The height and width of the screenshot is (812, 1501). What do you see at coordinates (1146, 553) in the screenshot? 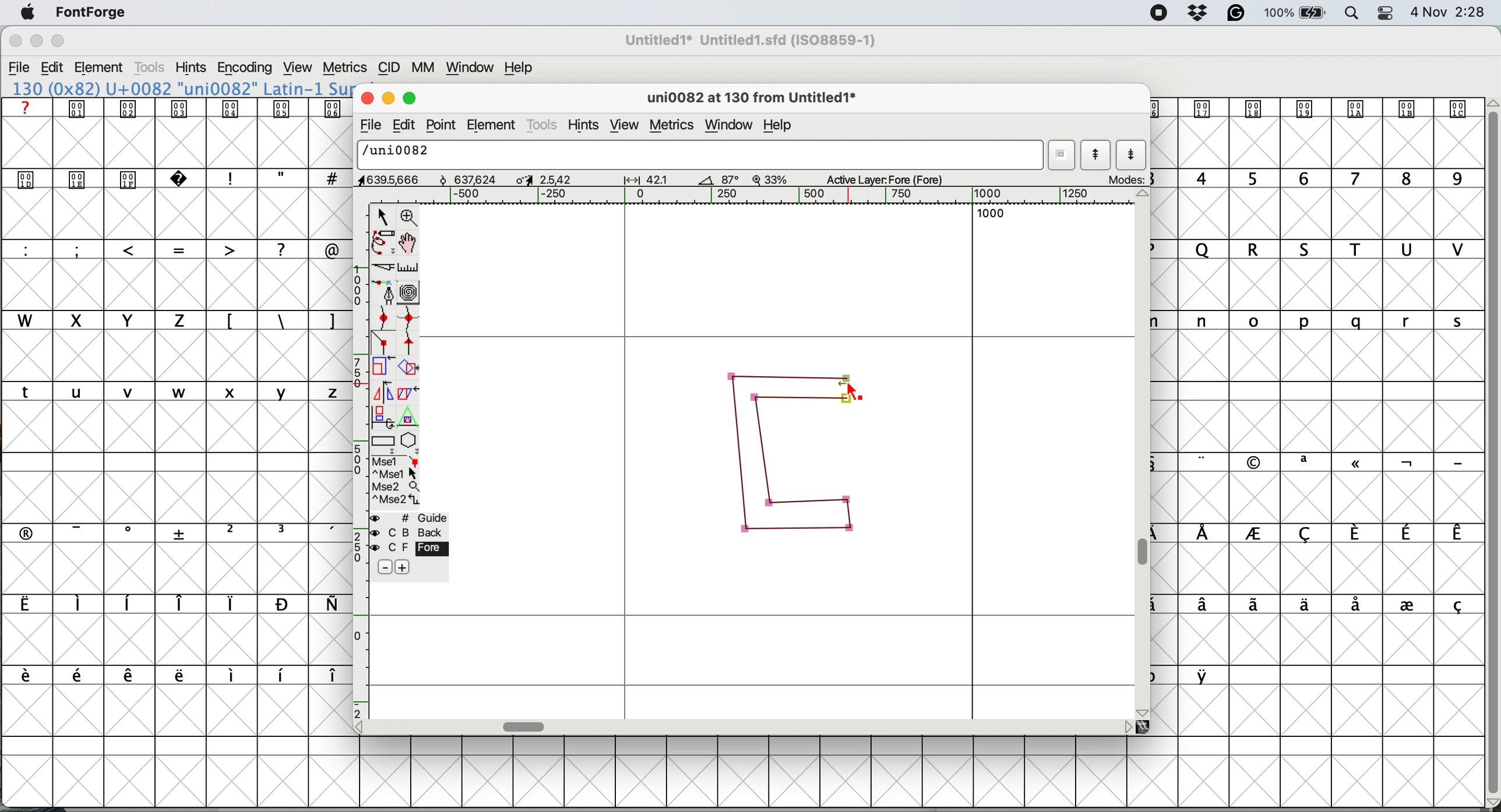
I see `vertical scroll bar` at bounding box center [1146, 553].